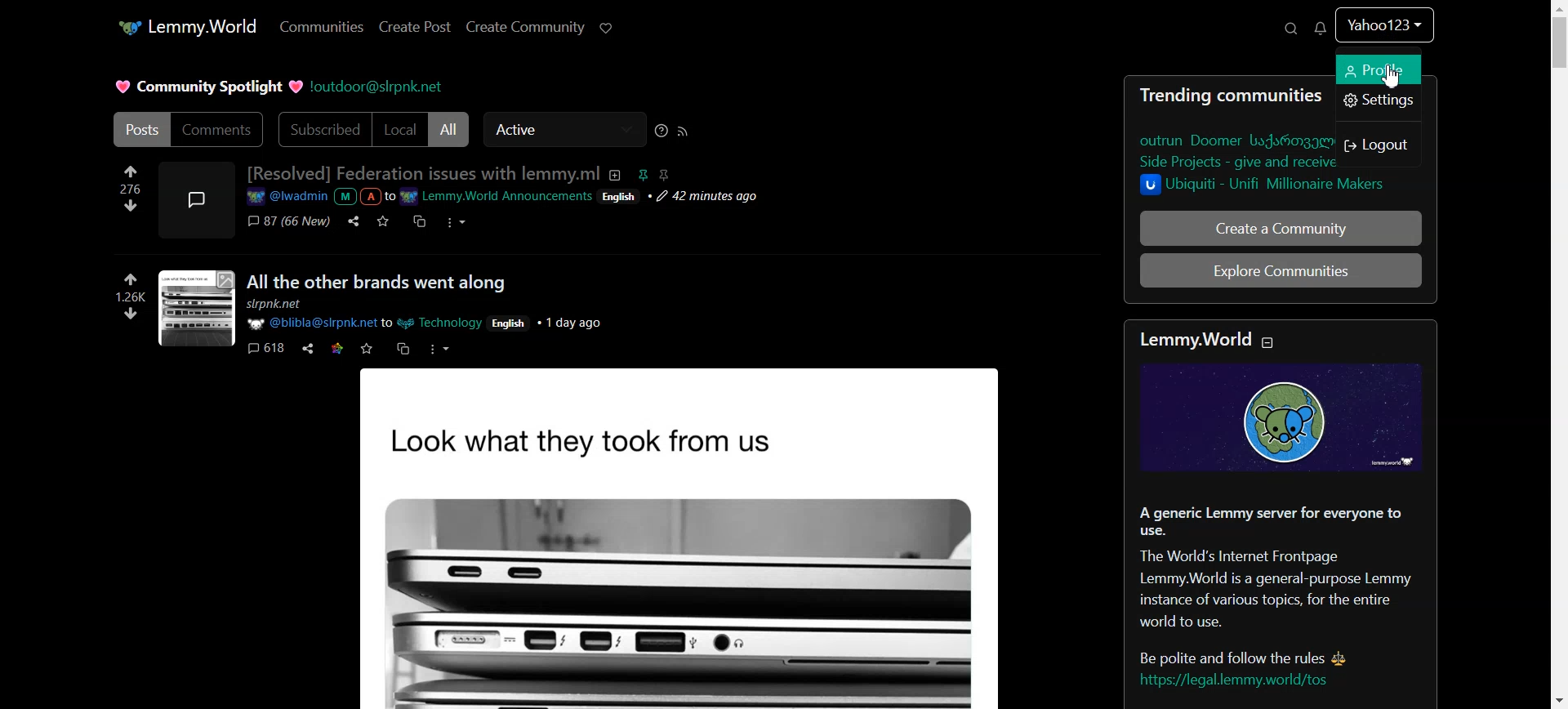  I want to click on slrpnk.net, so click(280, 305).